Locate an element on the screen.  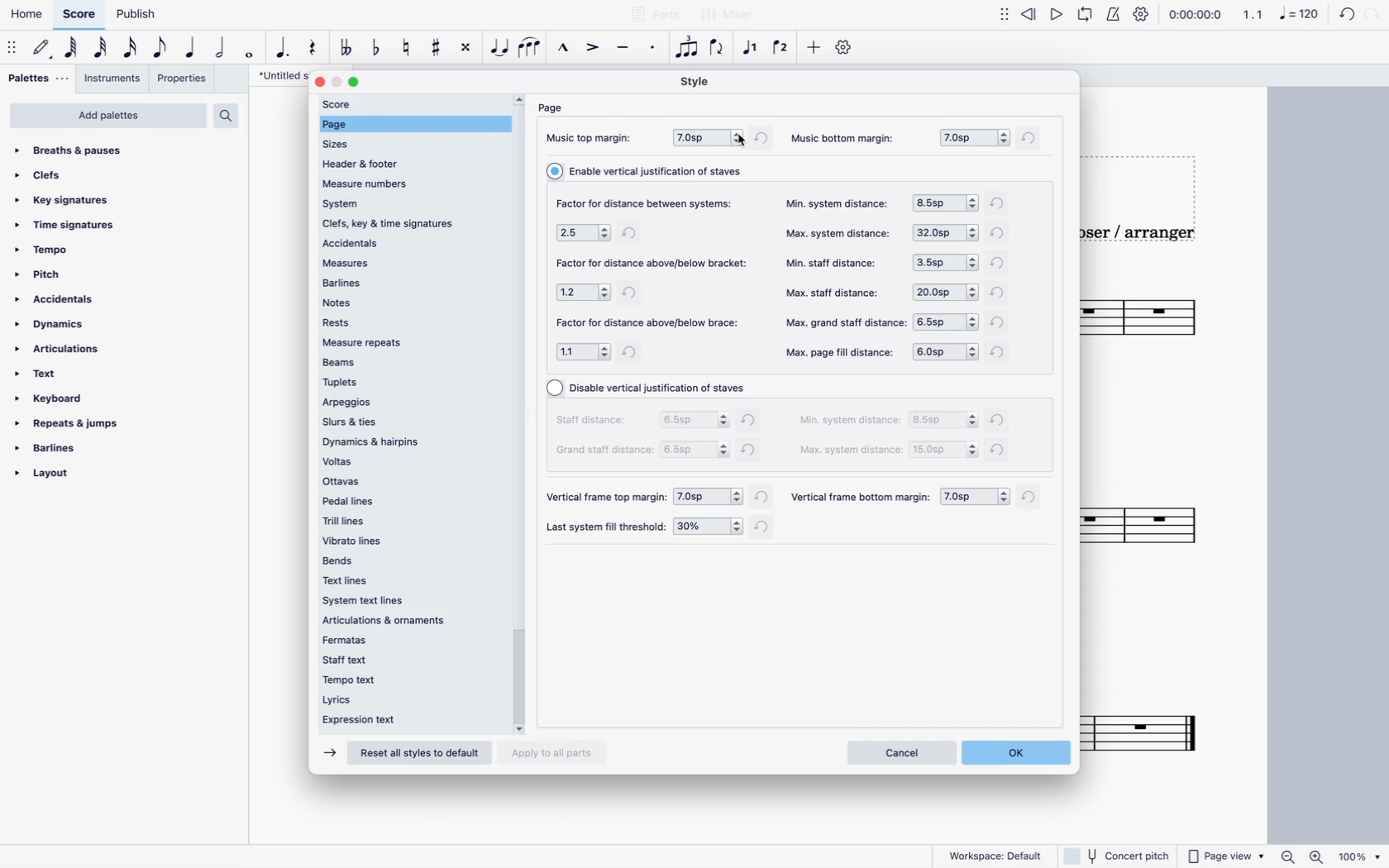
factor for distance is located at coordinates (650, 324).